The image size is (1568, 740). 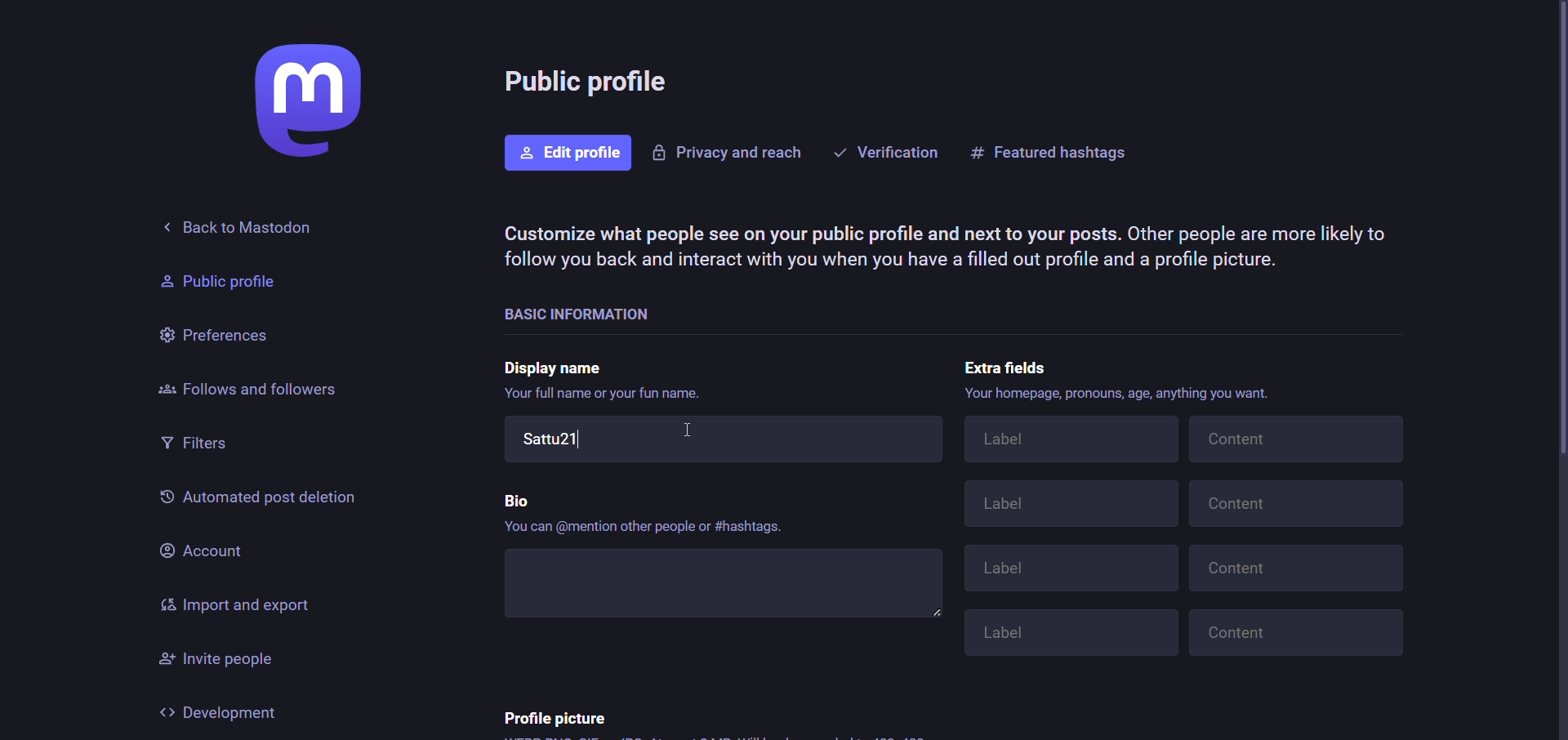 I want to click on Content , so click(x=1297, y=439).